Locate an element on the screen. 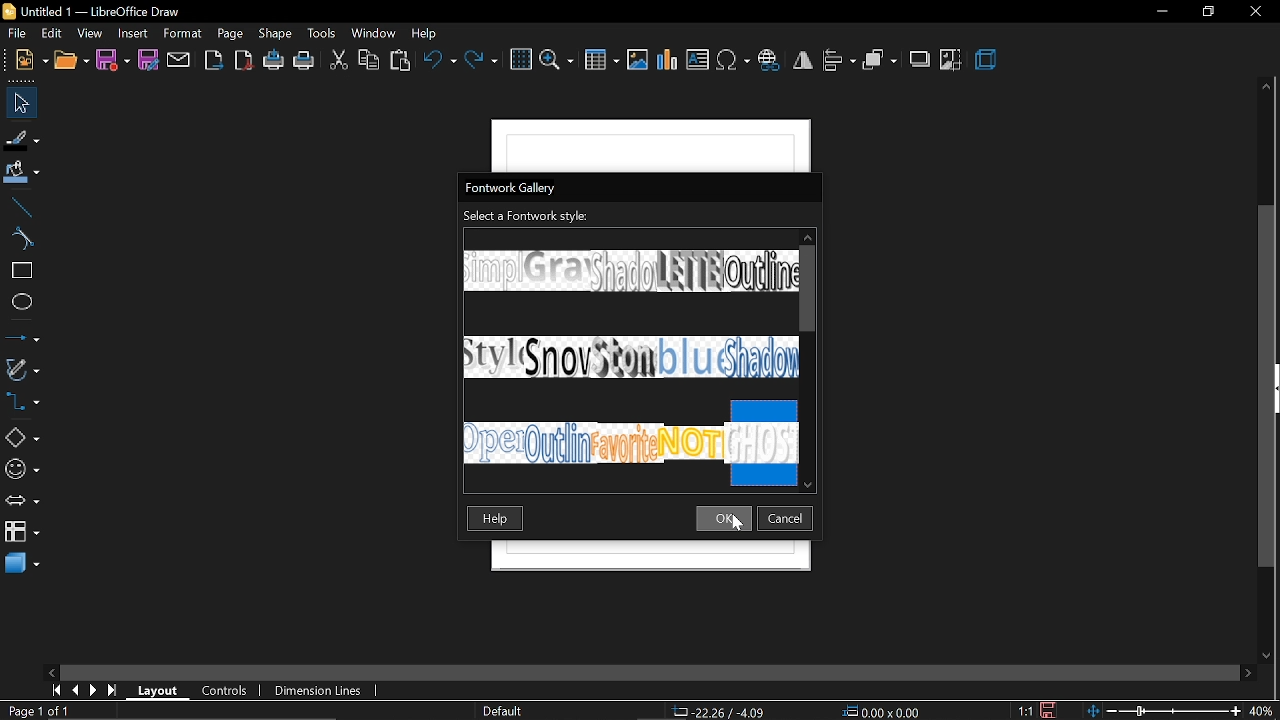 The width and height of the screenshot is (1280, 720). close is located at coordinates (1256, 13).